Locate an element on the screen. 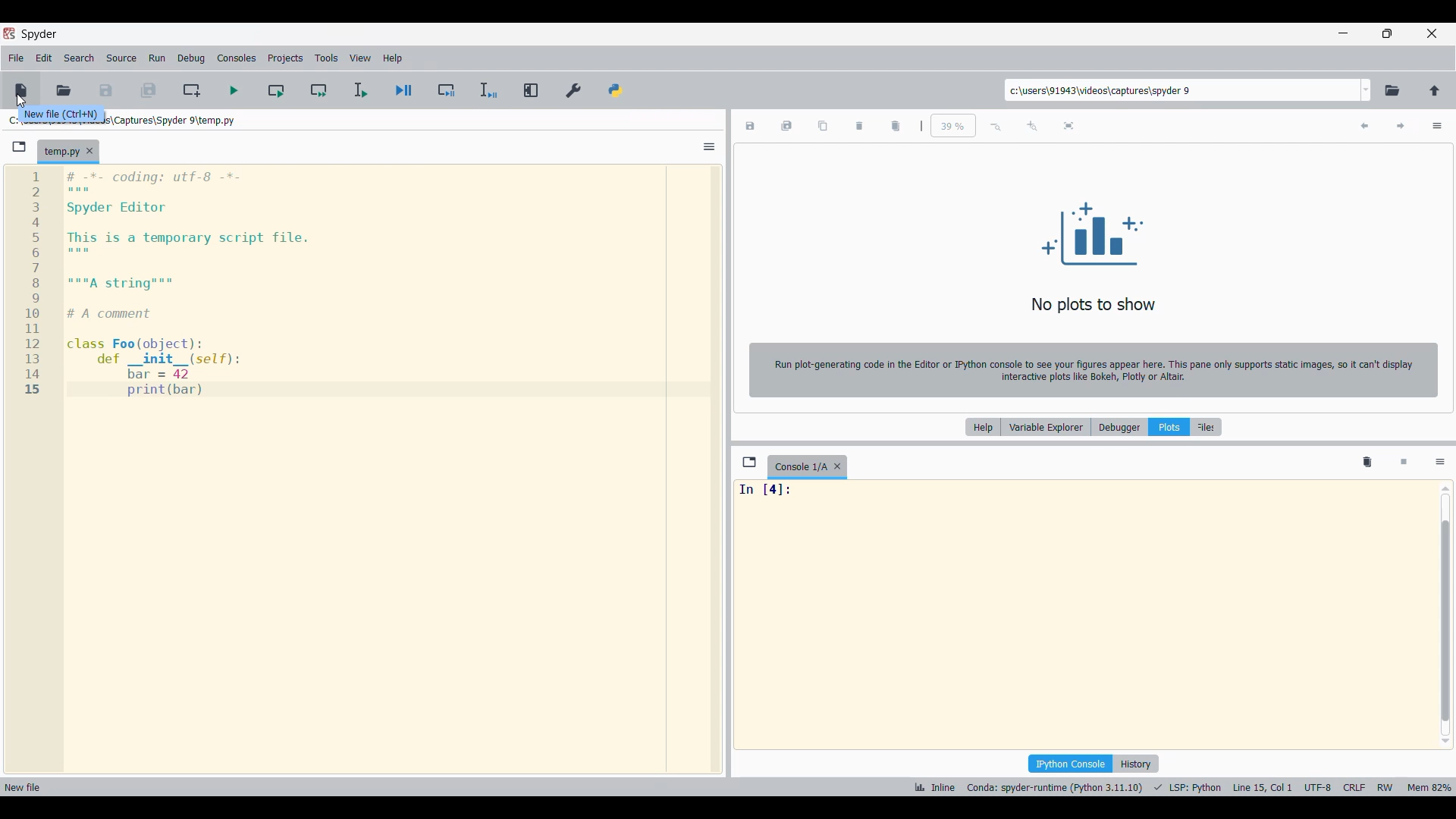  Run current cell and go to next one is located at coordinates (319, 91).